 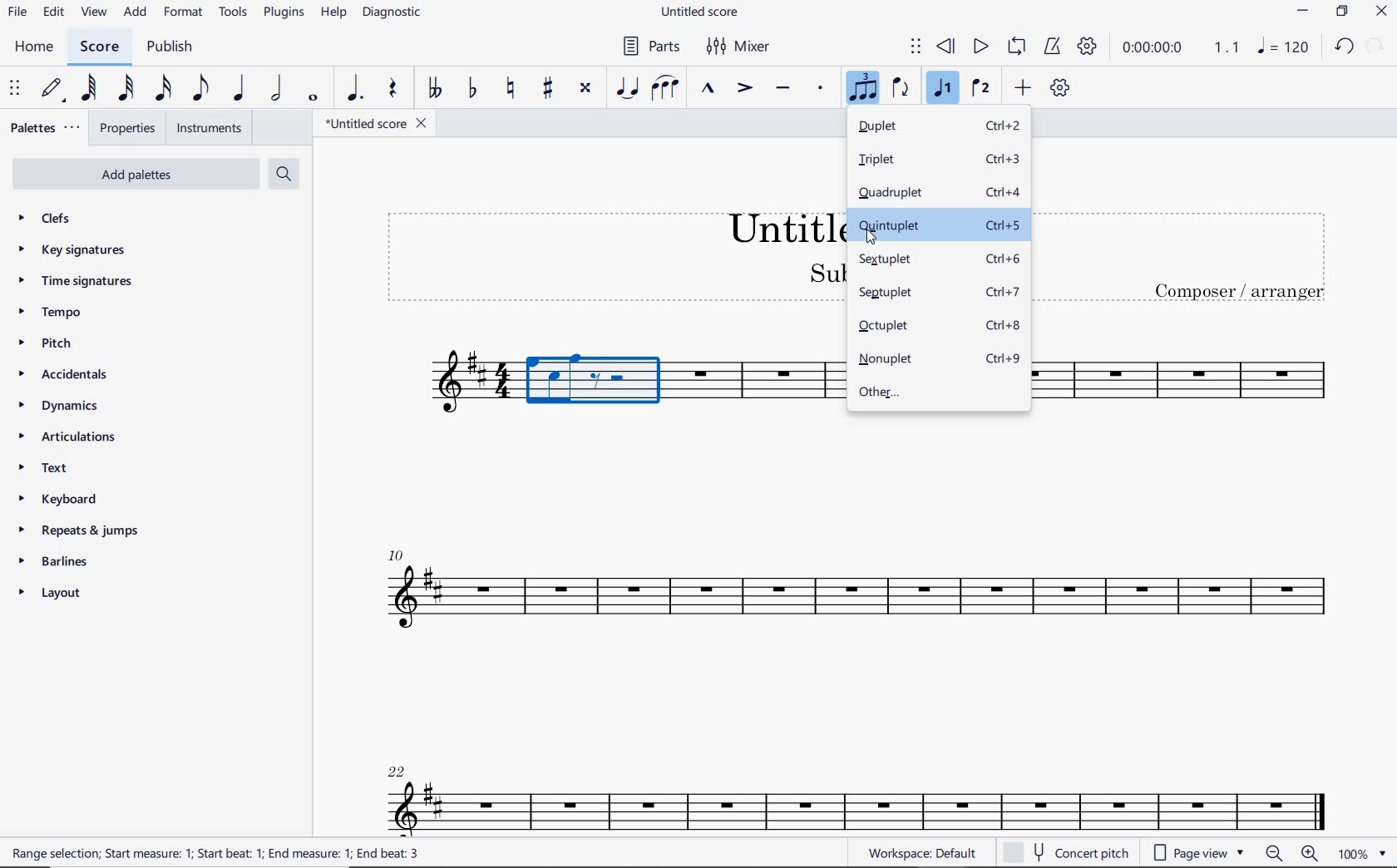 I want to click on TIE, so click(x=627, y=88).